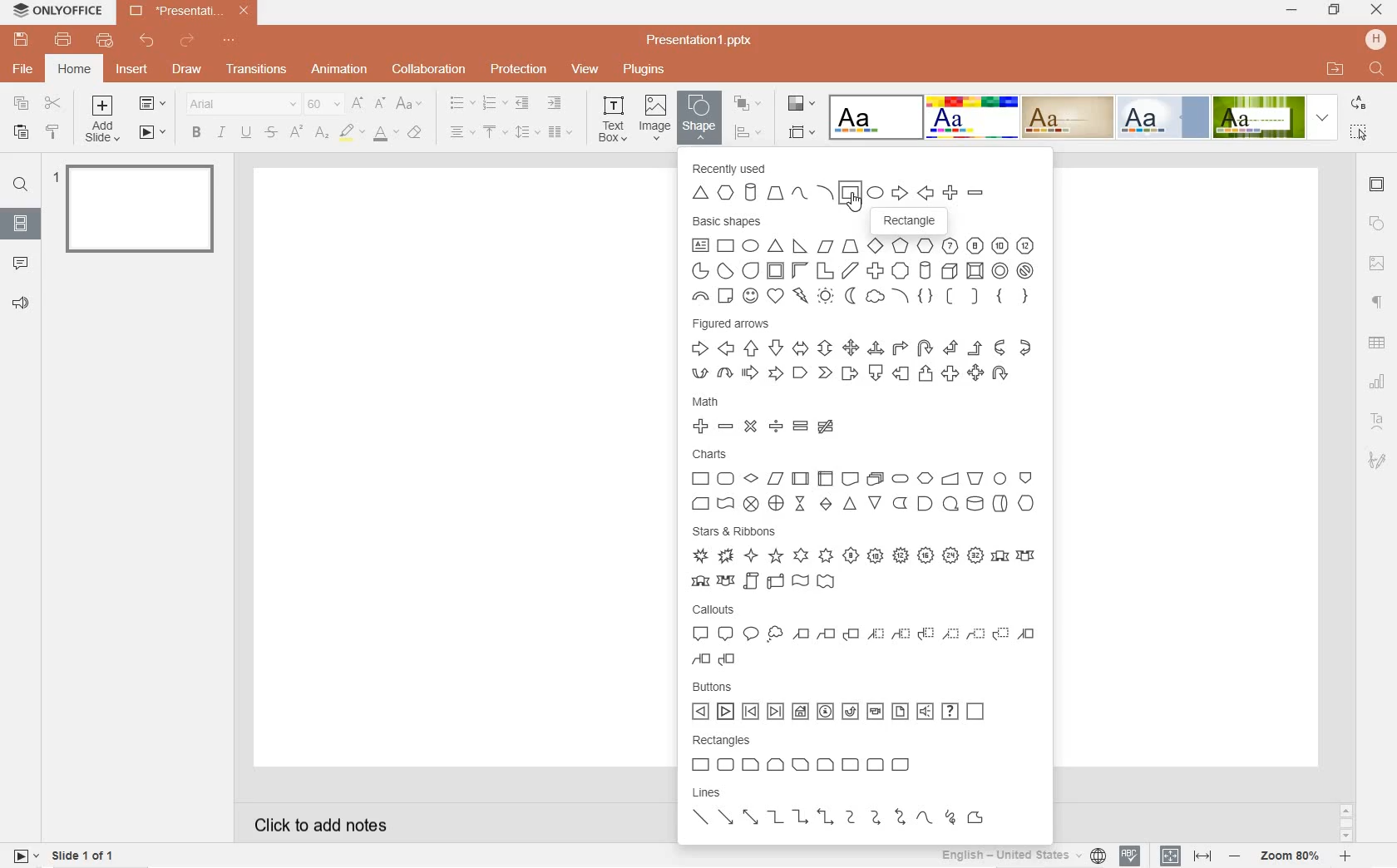  Describe the element at coordinates (1000, 634) in the screenshot. I see `Line Callout 3 (No border)` at that location.